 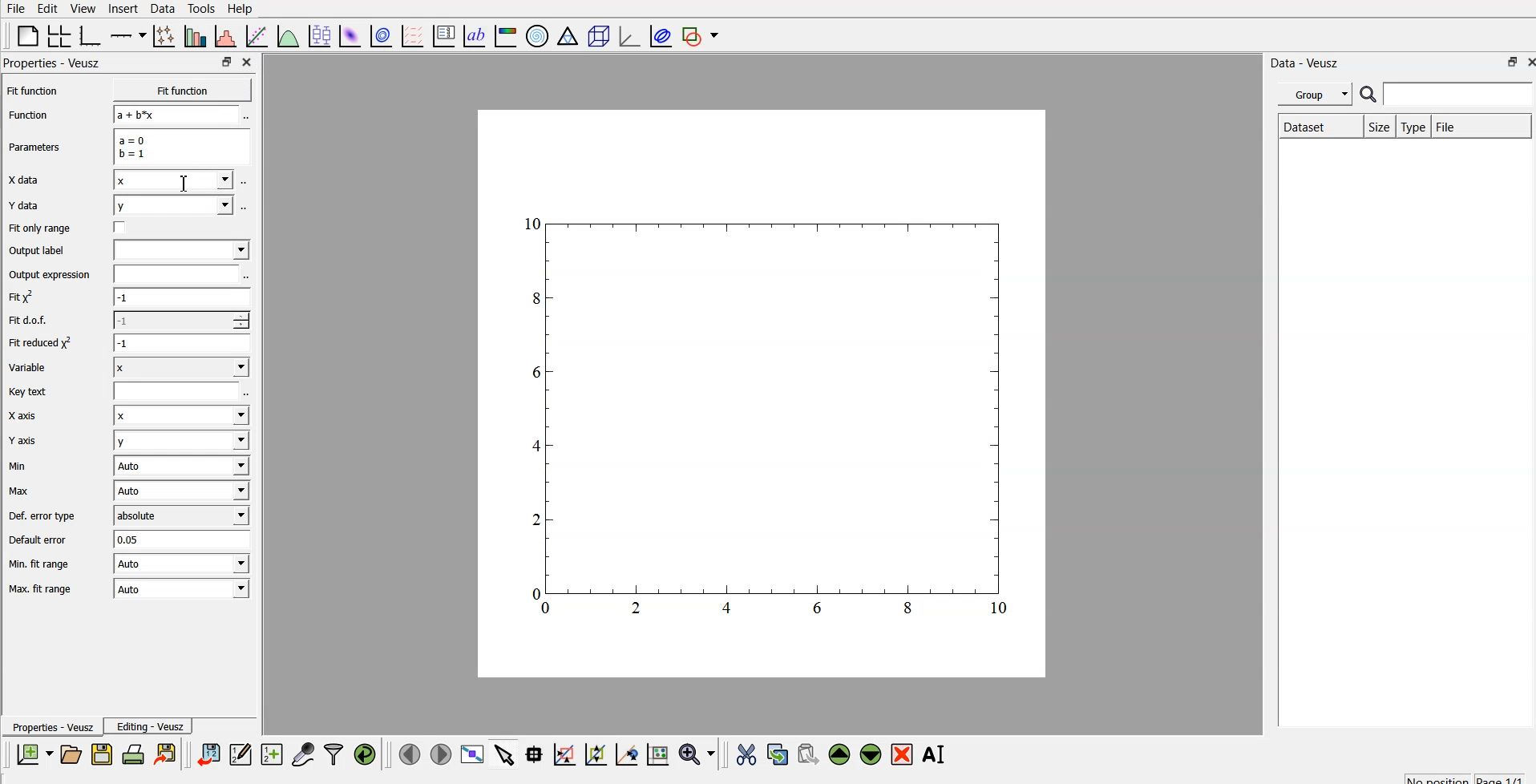 What do you see at coordinates (745, 757) in the screenshot?
I see `cut the selected widget` at bounding box center [745, 757].